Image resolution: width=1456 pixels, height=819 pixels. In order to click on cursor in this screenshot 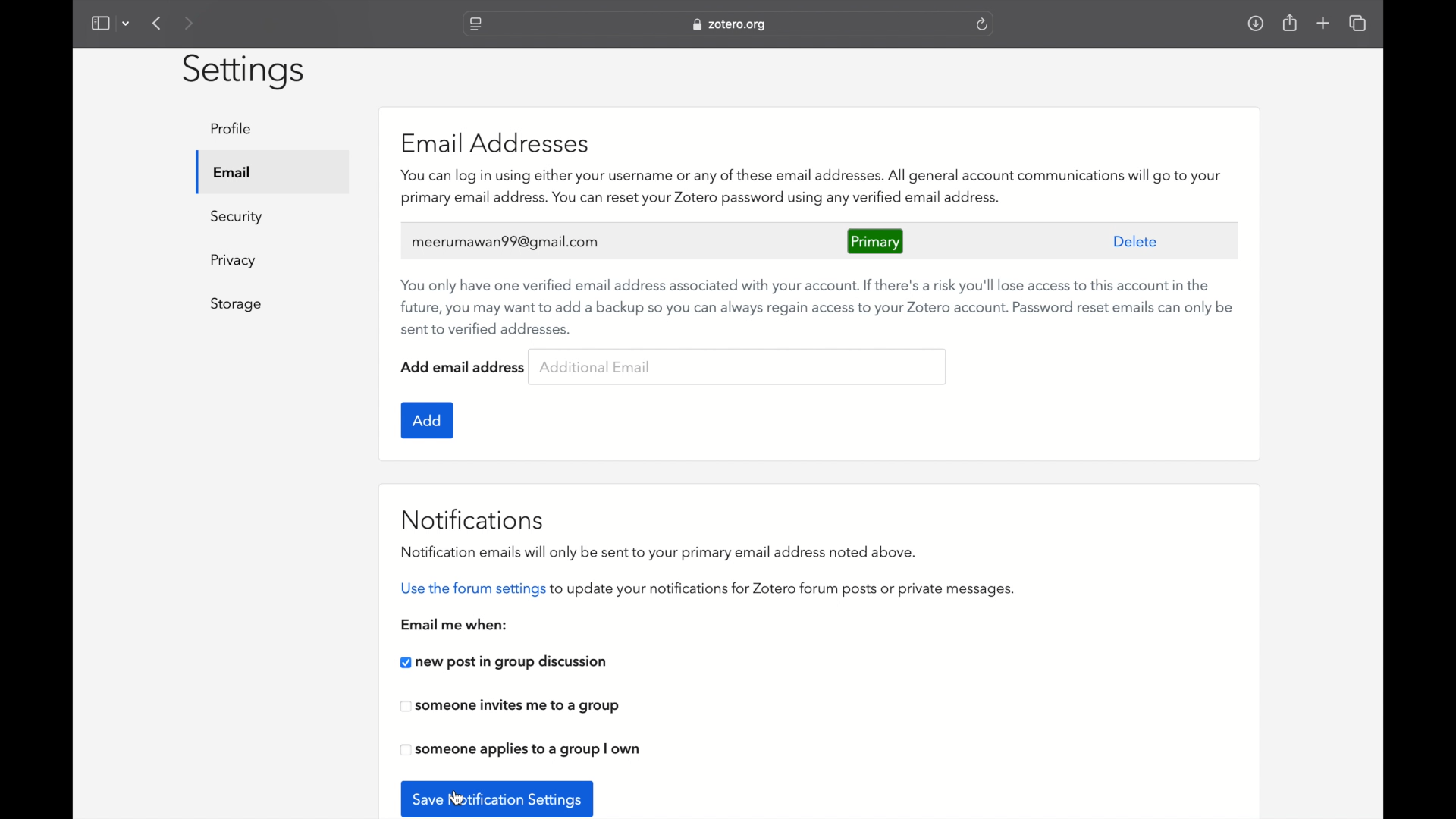, I will do `click(411, 667)`.